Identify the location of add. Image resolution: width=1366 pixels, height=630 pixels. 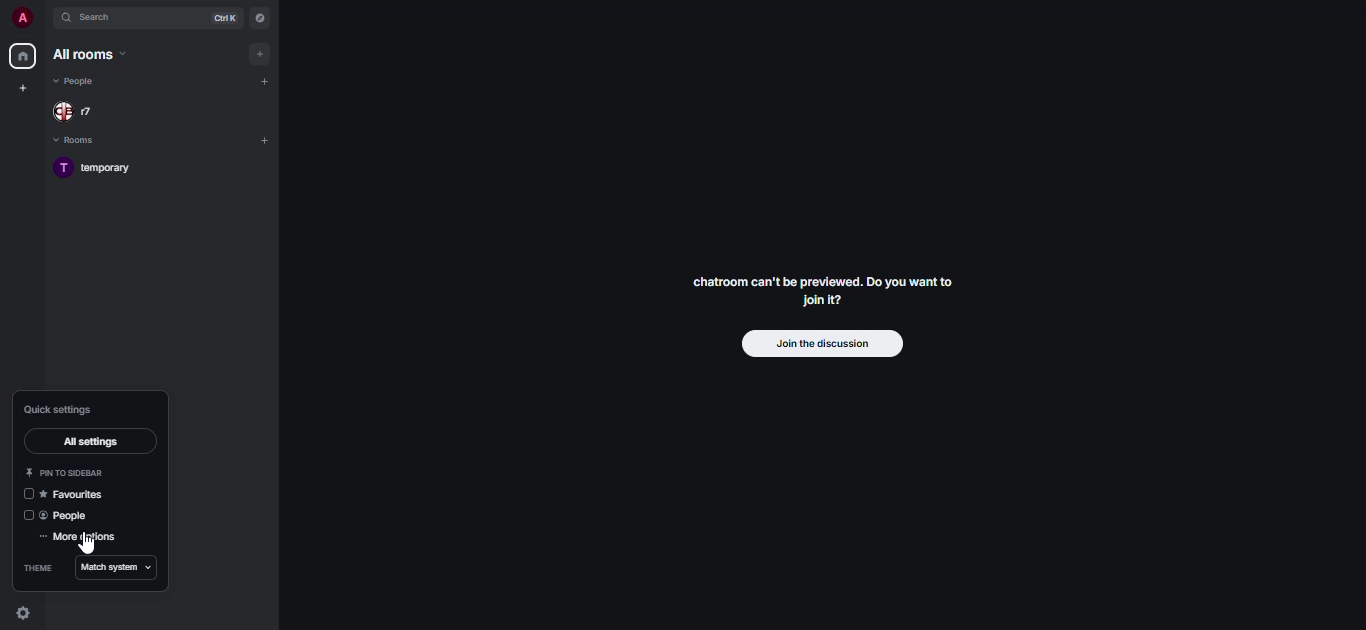
(258, 54).